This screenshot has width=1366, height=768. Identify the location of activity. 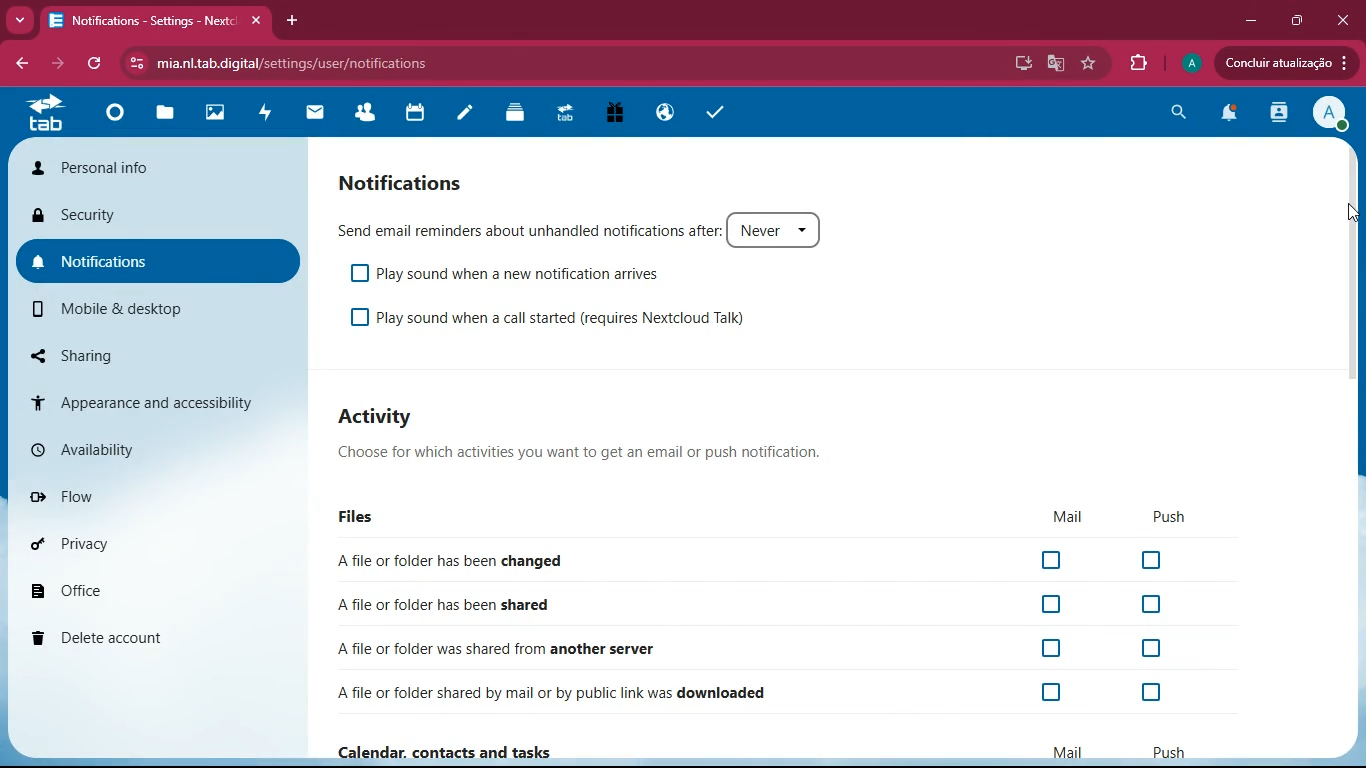
(380, 416).